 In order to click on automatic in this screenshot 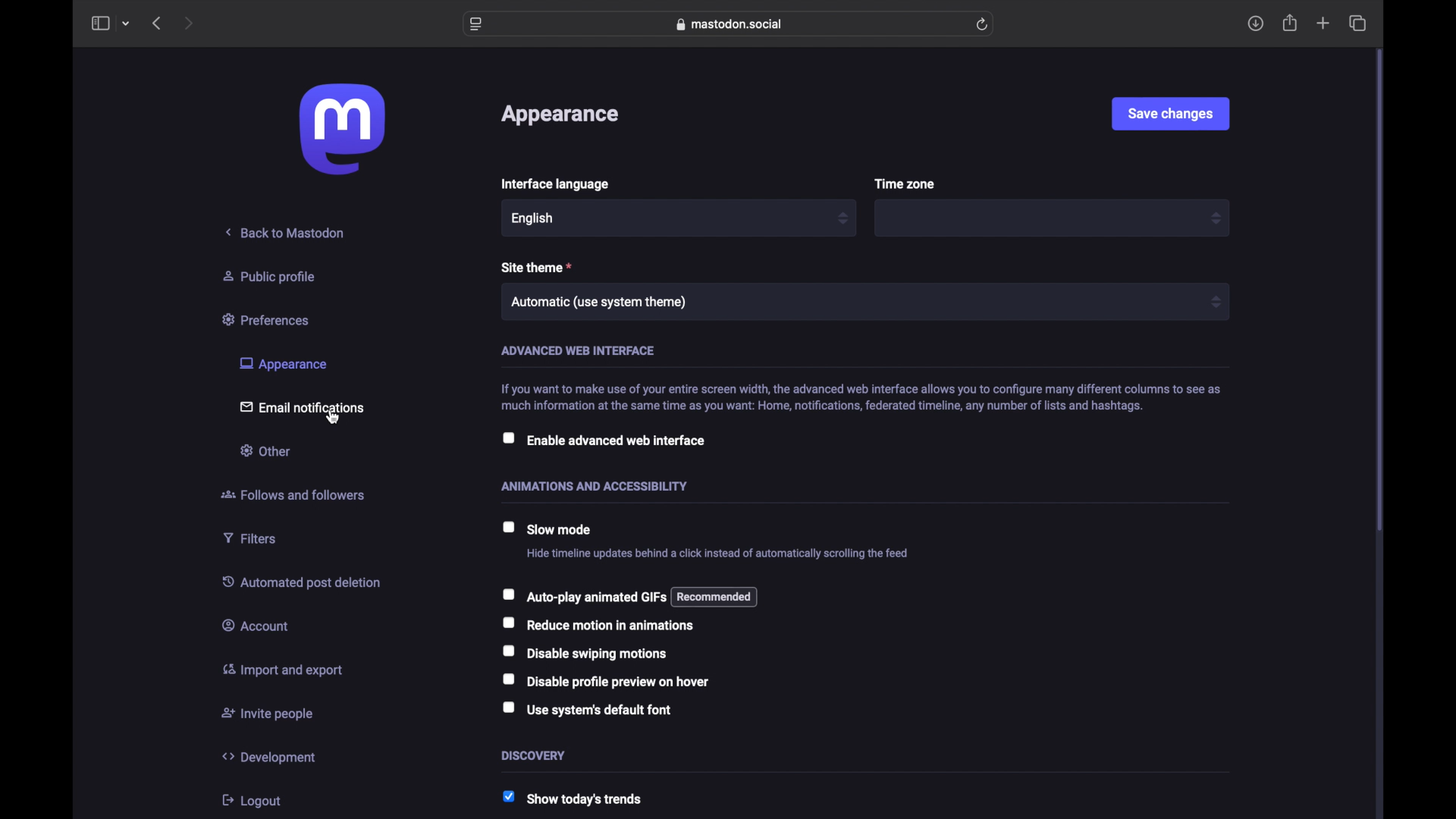, I will do `click(599, 302)`.